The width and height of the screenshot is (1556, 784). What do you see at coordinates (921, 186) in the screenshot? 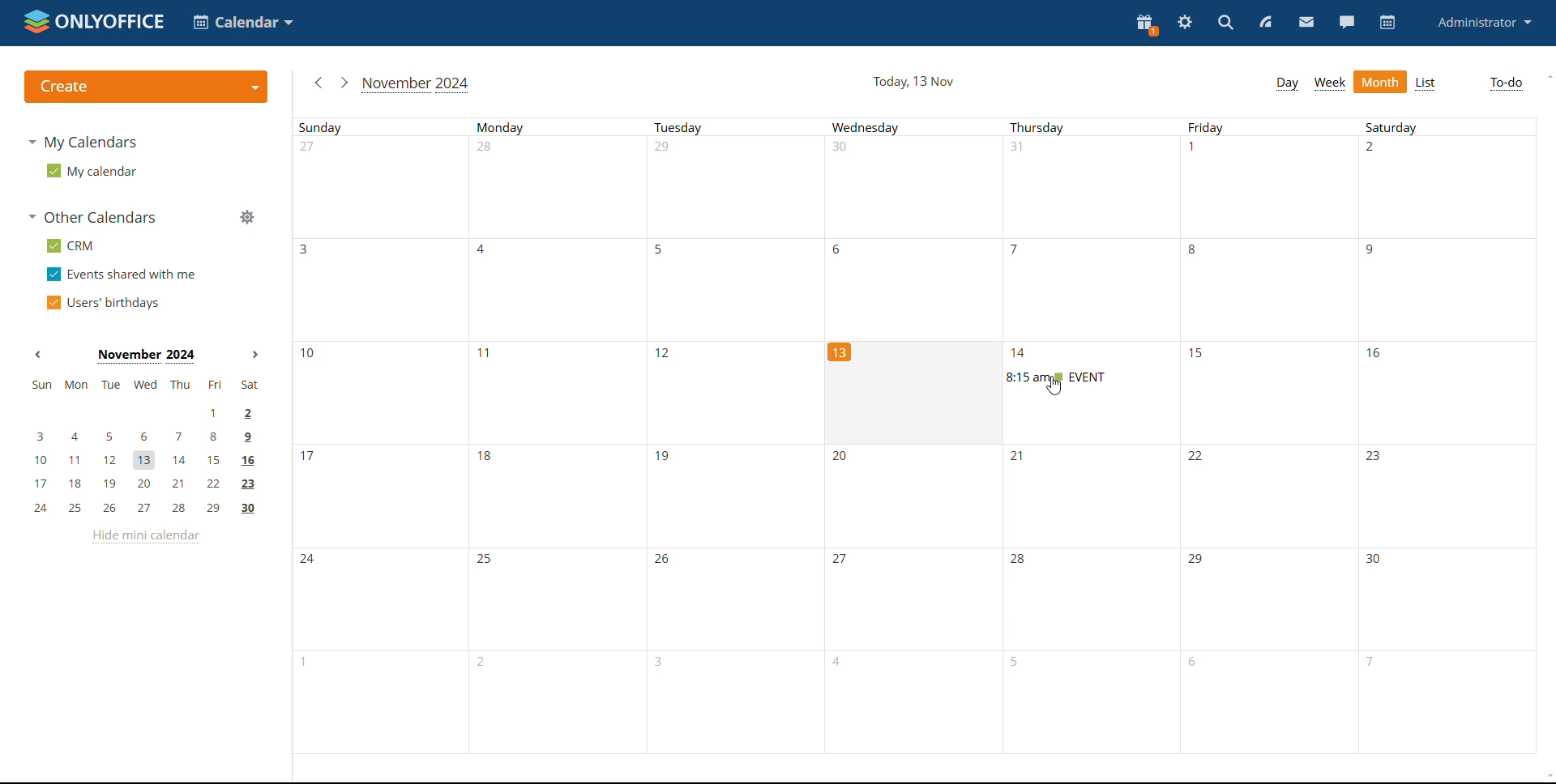
I see `unallocated time slots from 27 October to 2 November` at bounding box center [921, 186].